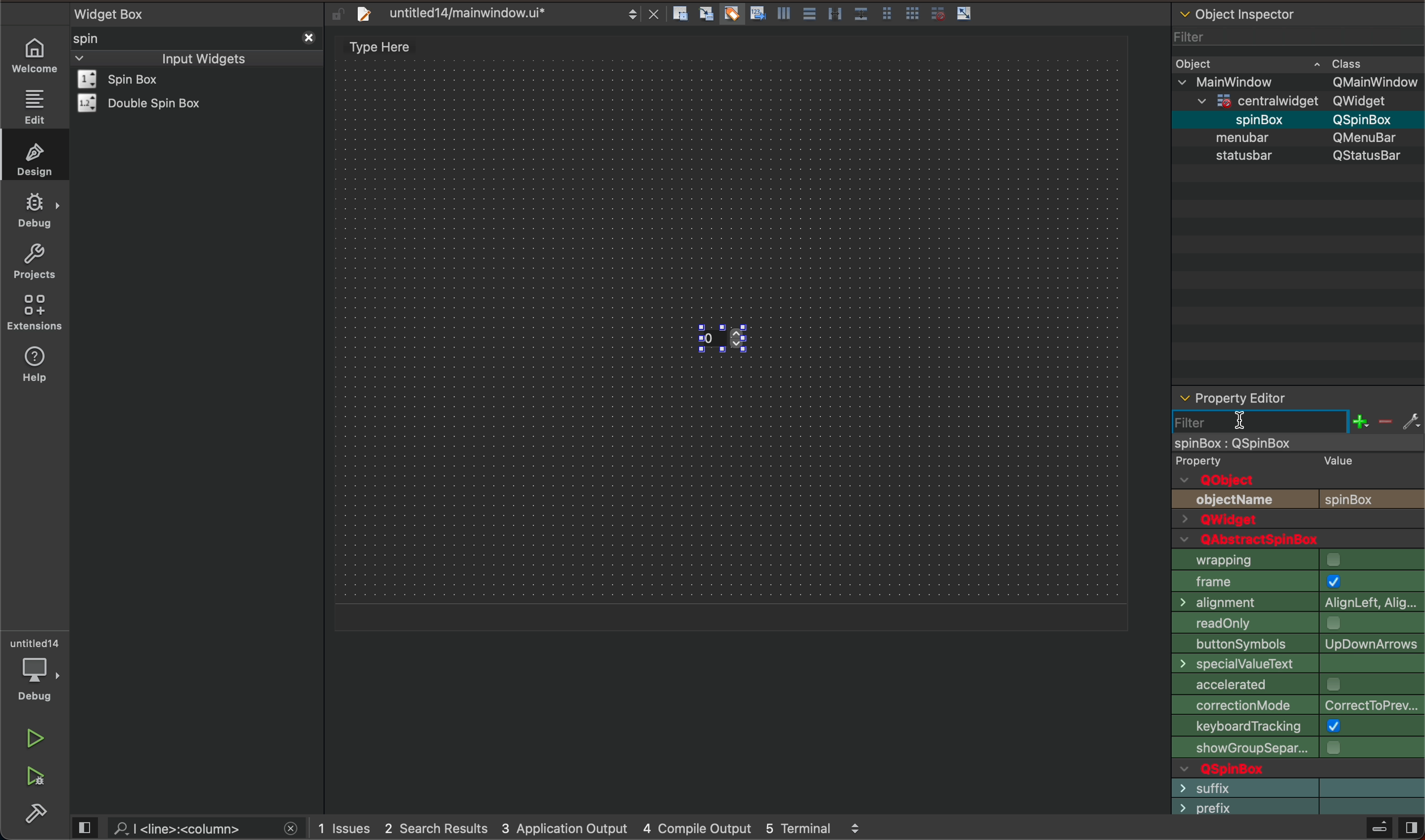 The image size is (1425, 840). I want to click on object, so click(1246, 137).